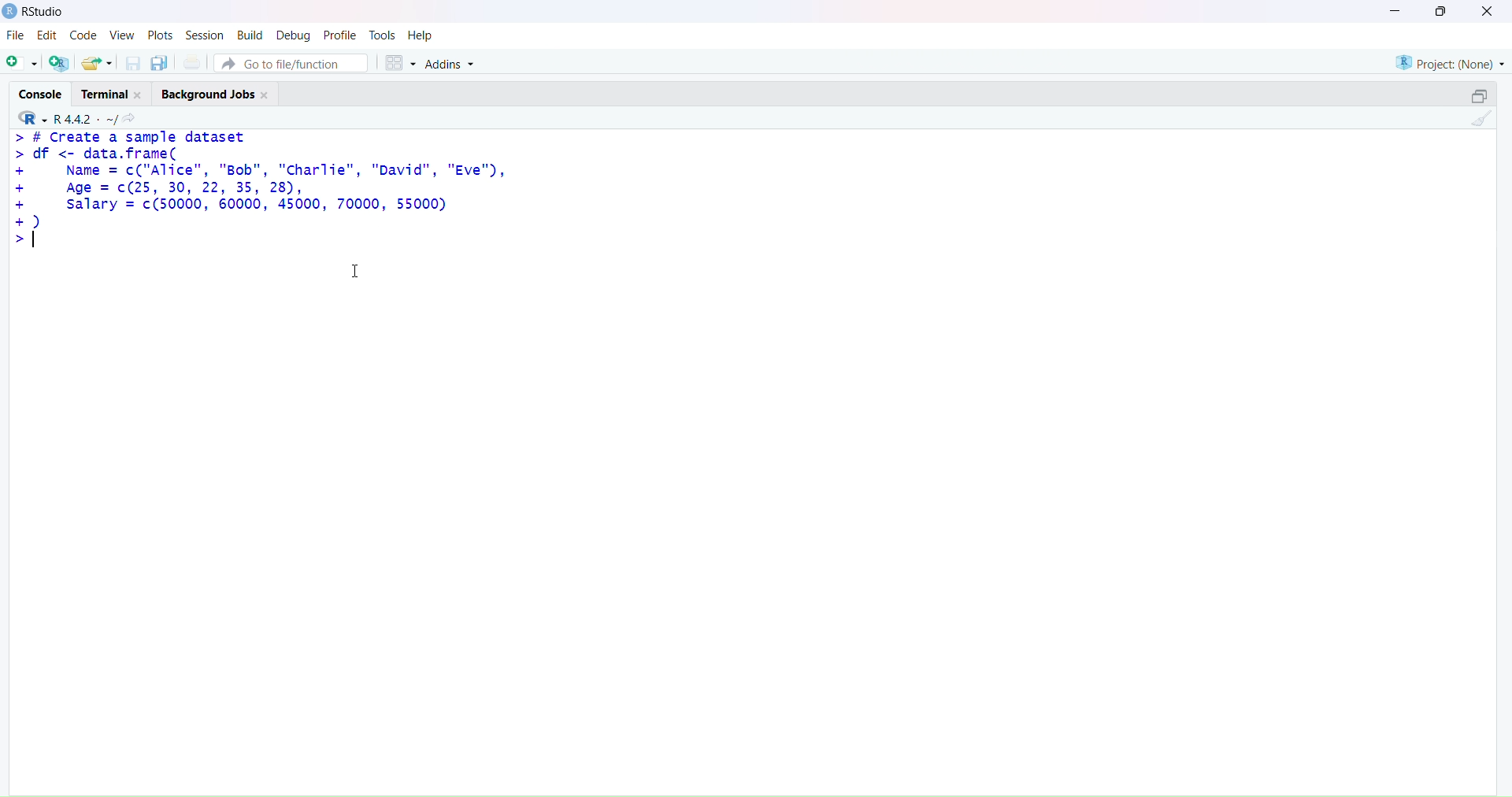 Image resolution: width=1512 pixels, height=797 pixels. What do you see at coordinates (41, 95) in the screenshot?
I see `console` at bounding box center [41, 95].